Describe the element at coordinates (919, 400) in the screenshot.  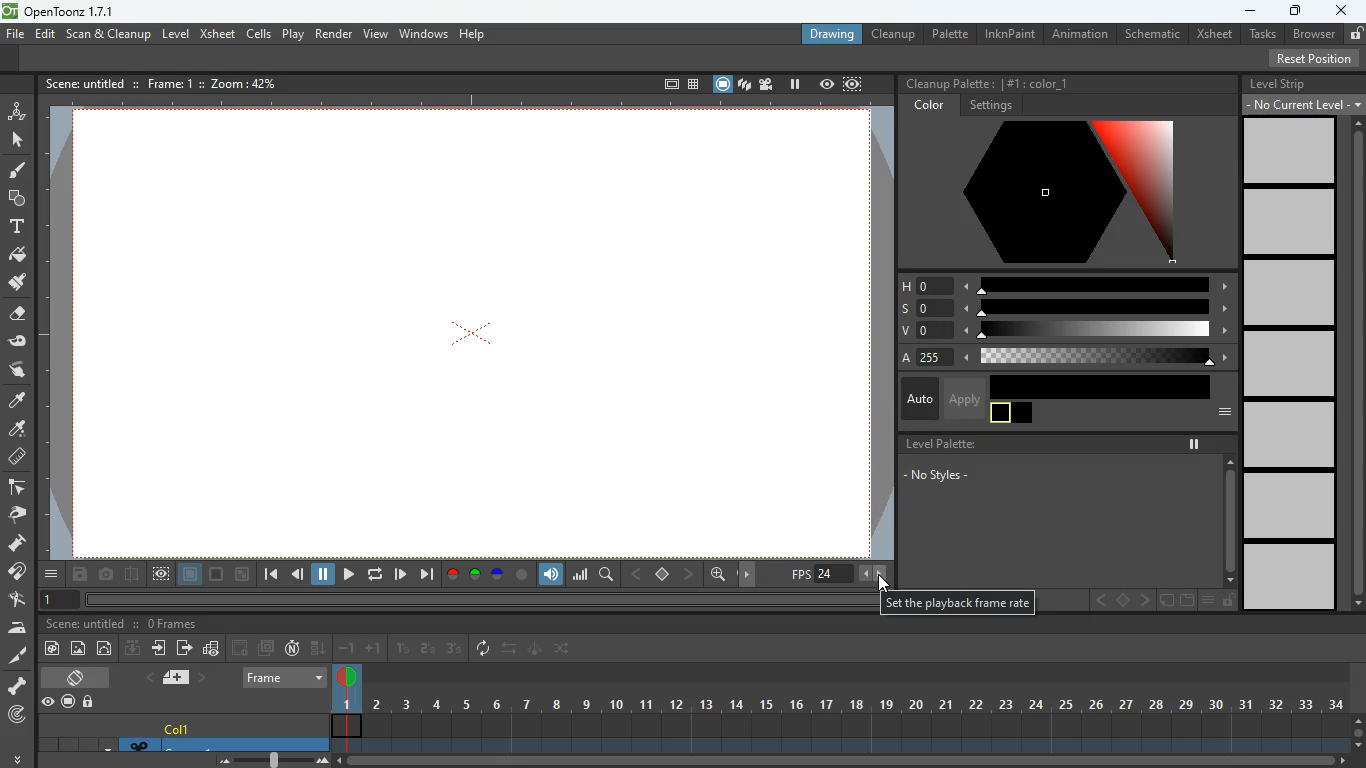
I see `auto` at that location.